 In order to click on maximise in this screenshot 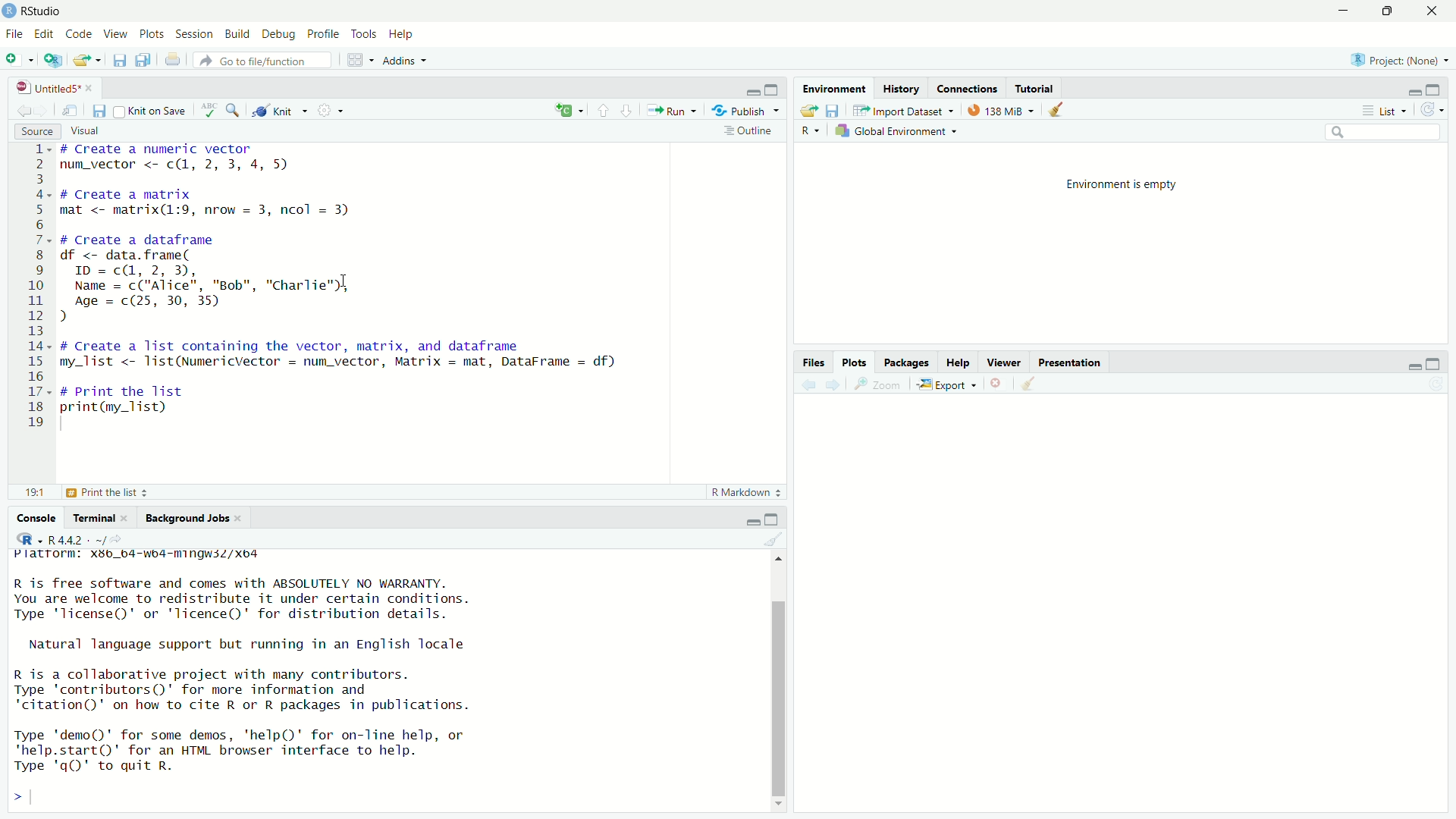, I will do `click(1440, 89)`.